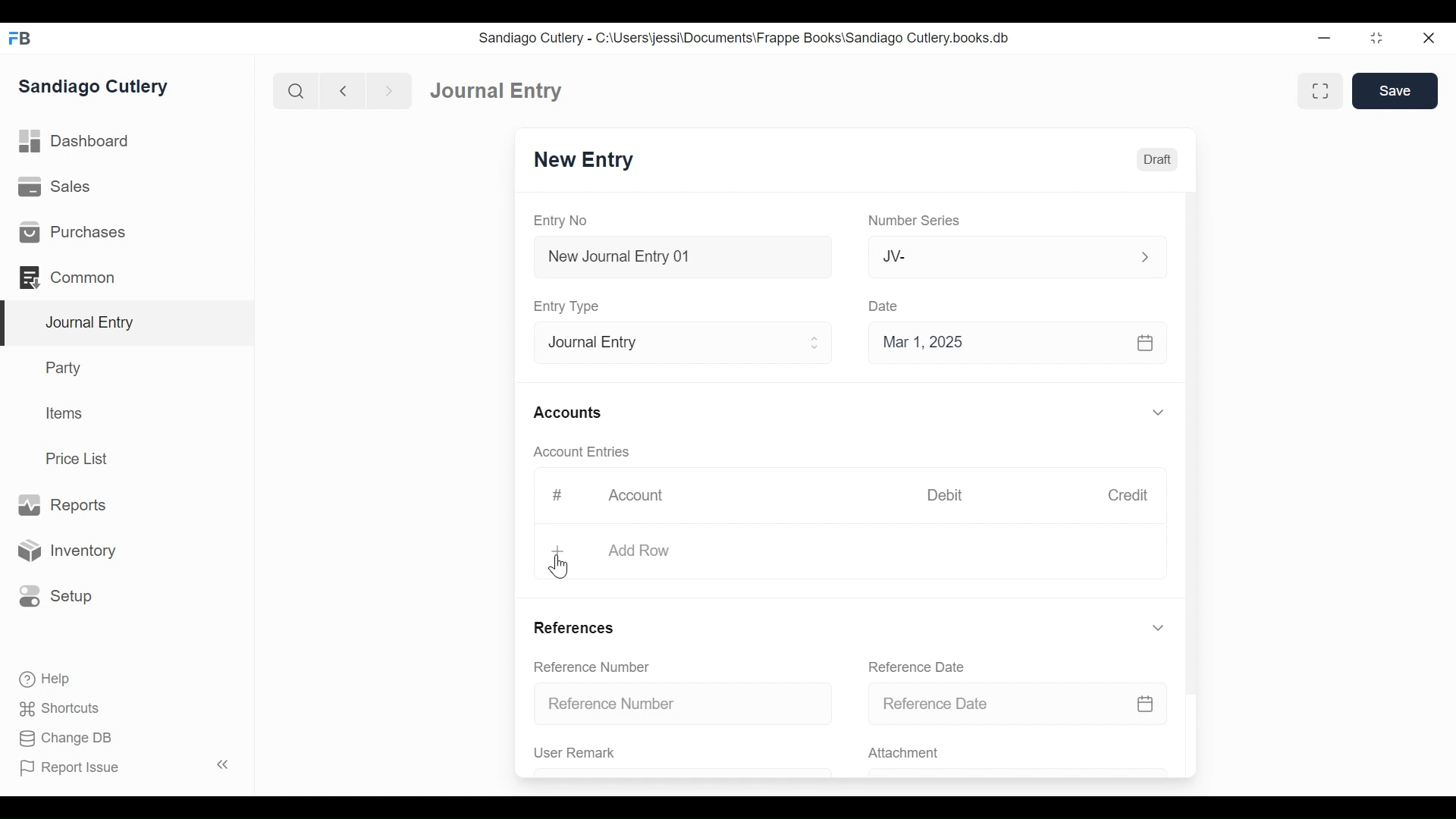 Image resolution: width=1456 pixels, height=819 pixels. What do you see at coordinates (1157, 412) in the screenshot?
I see `expand/collapse` at bounding box center [1157, 412].